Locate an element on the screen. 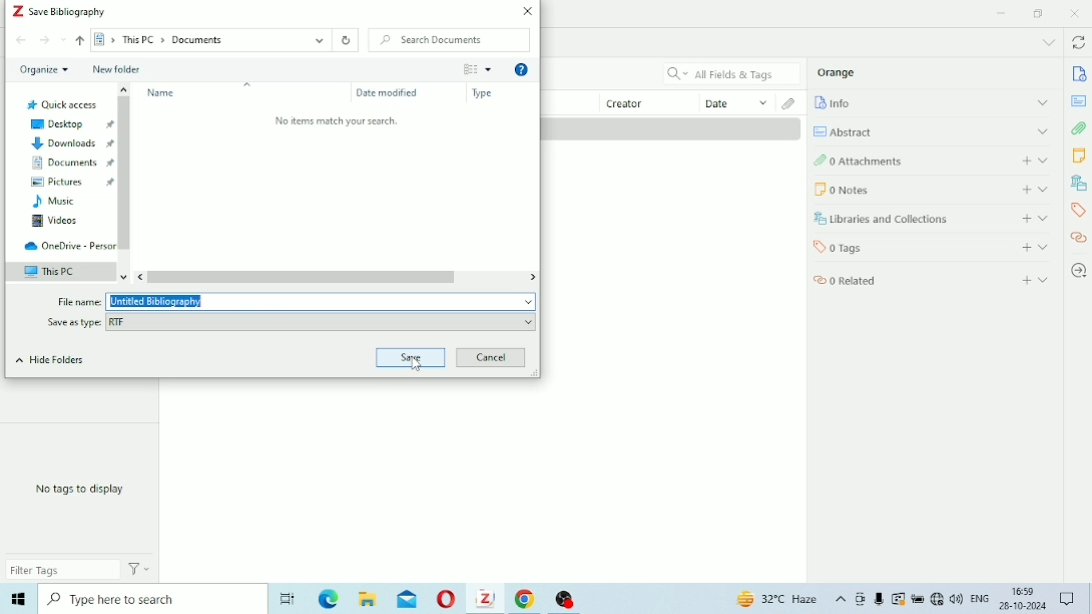 The image size is (1092, 614). Temperature is located at coordinates (779, 600).